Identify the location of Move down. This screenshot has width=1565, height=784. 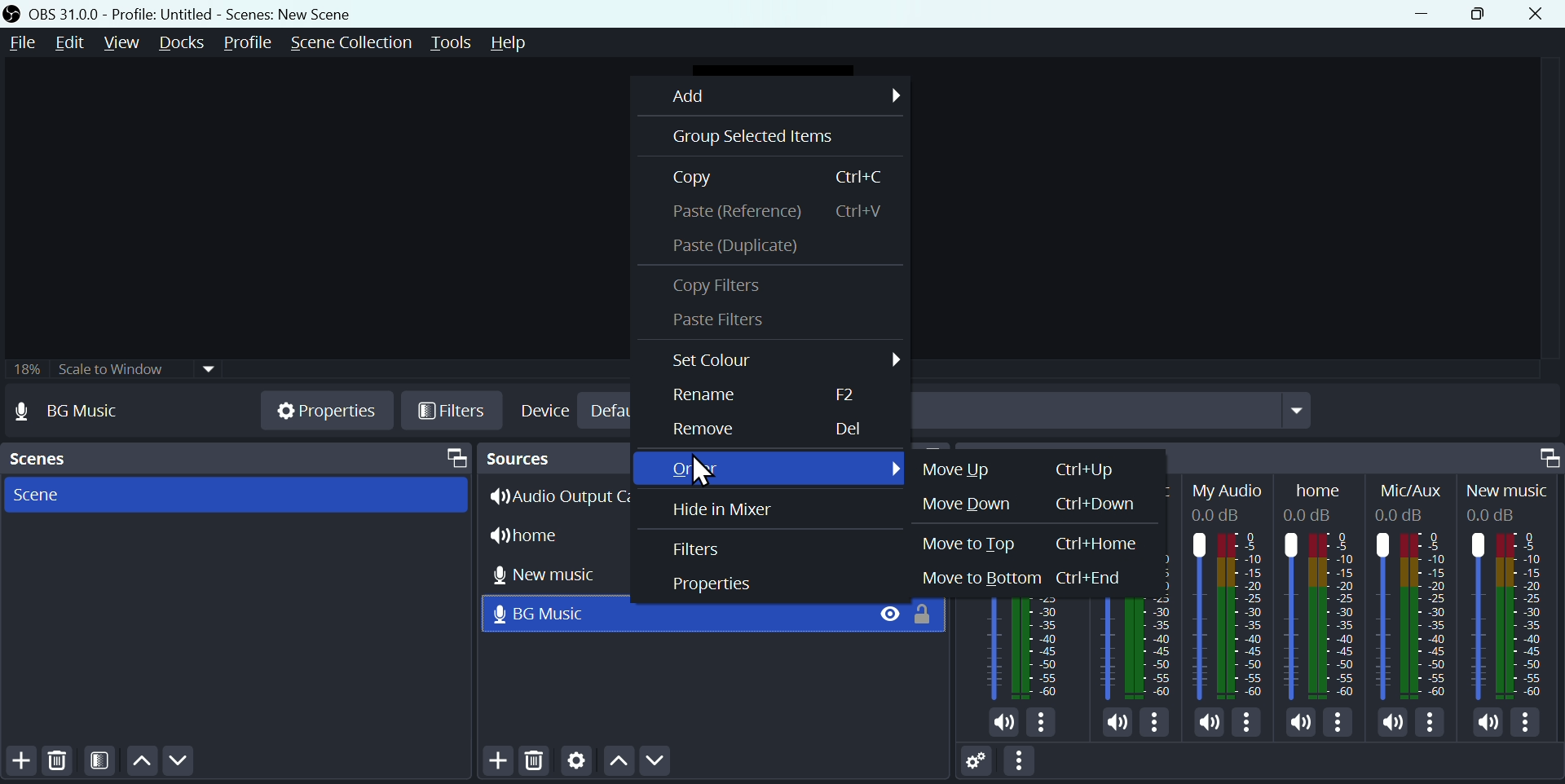
(1027, 503).